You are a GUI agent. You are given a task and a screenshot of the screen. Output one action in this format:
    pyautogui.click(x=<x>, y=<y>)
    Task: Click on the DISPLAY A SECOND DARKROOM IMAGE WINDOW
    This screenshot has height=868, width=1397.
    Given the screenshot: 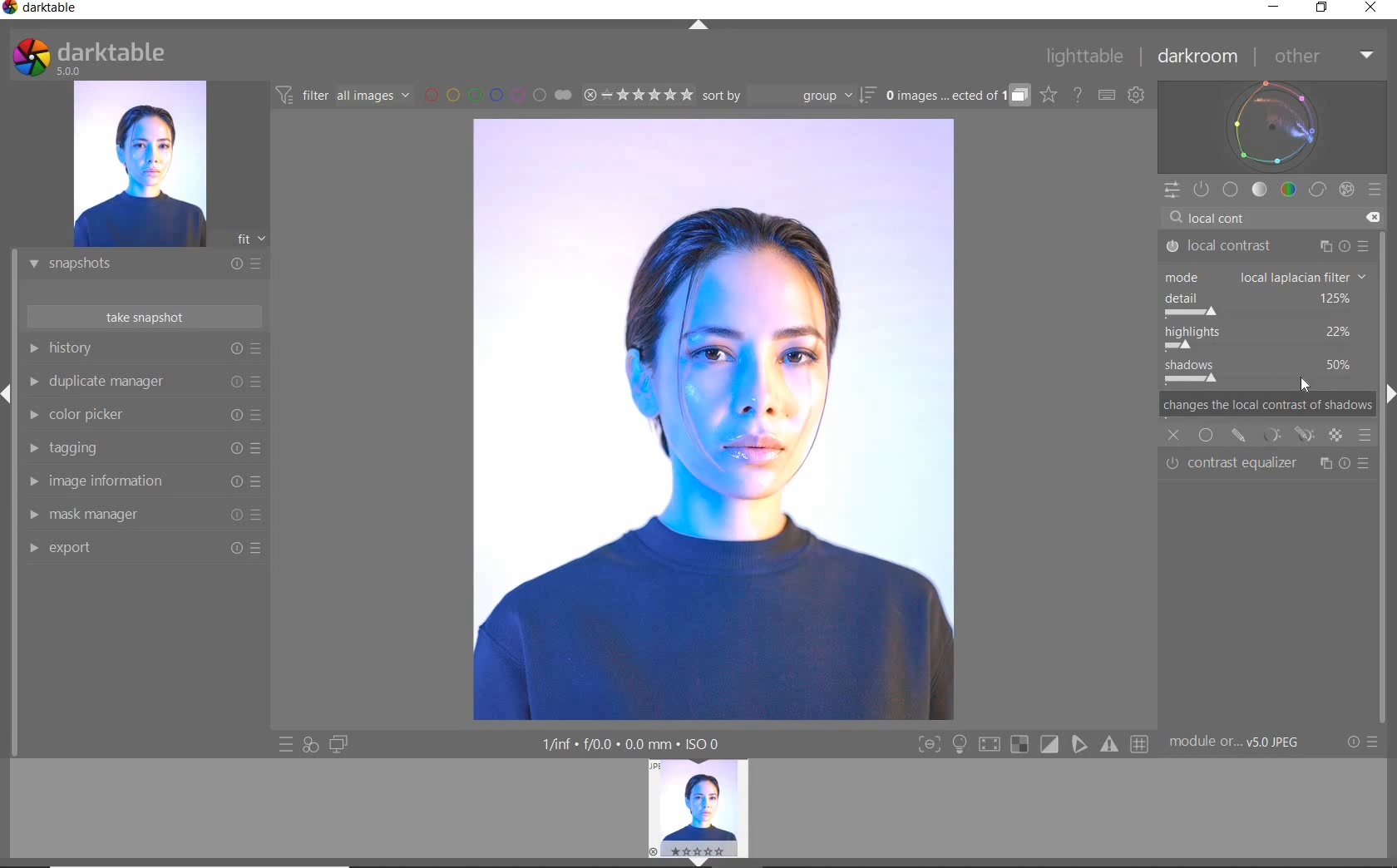 What is the action you would take?
    pyautogui.click(x=338, y=744)
    